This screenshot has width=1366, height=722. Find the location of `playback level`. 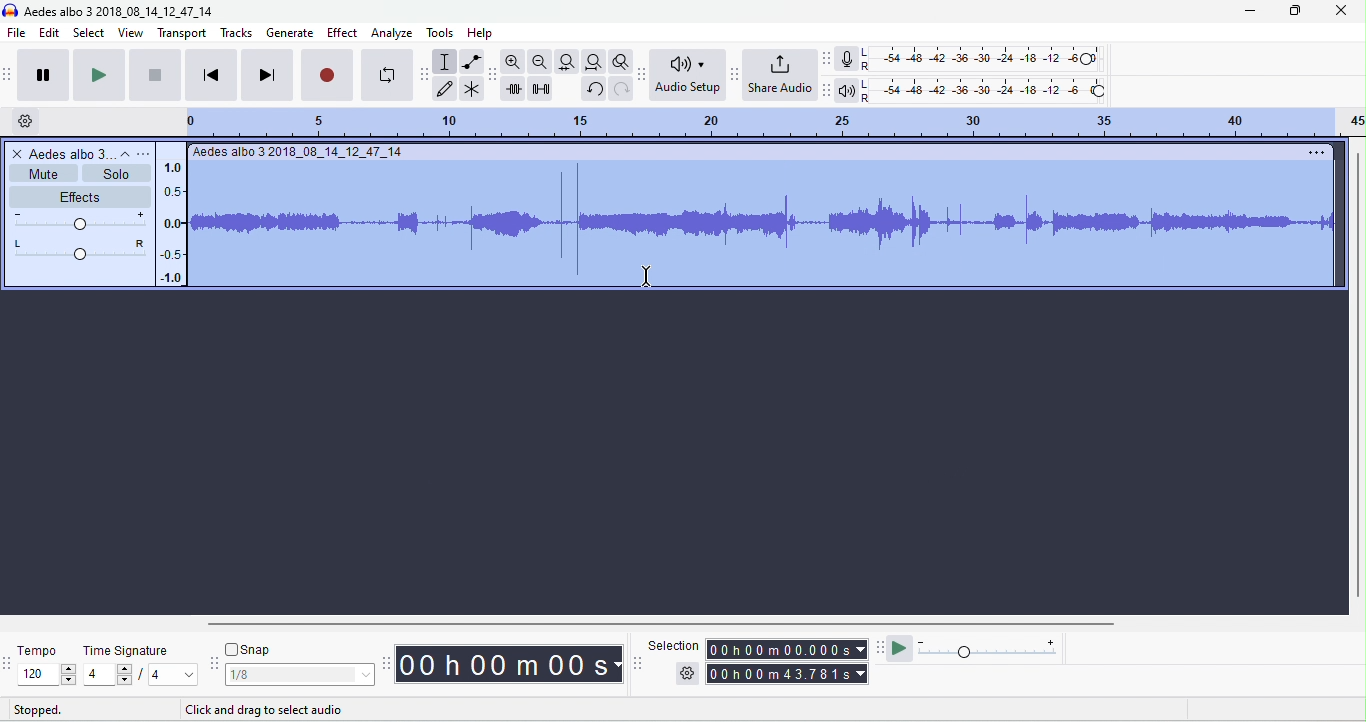

playback level is located at coordinates (994, 89).